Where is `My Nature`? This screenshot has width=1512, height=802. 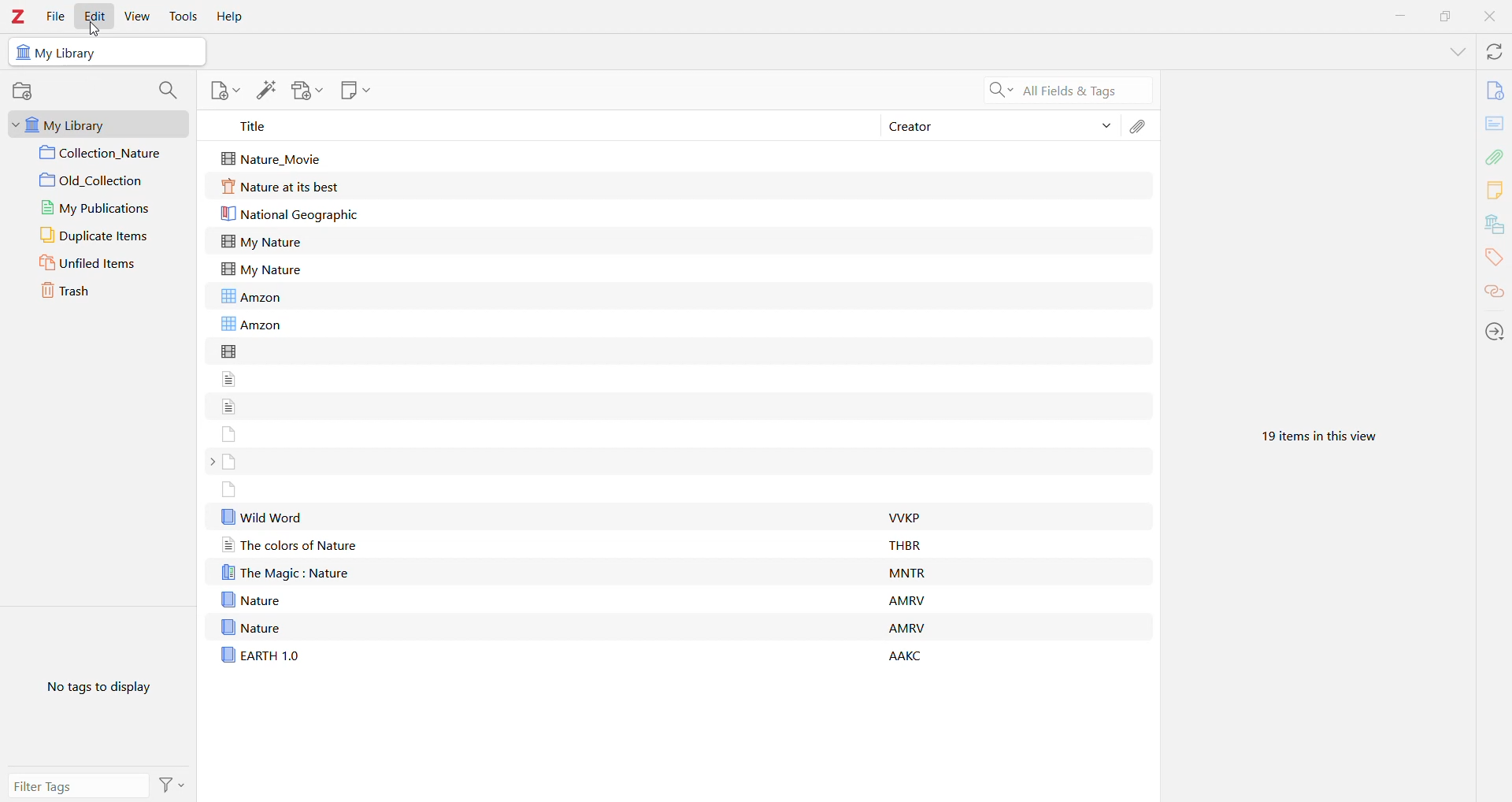
My Nature is located at coordinates (261, 269).